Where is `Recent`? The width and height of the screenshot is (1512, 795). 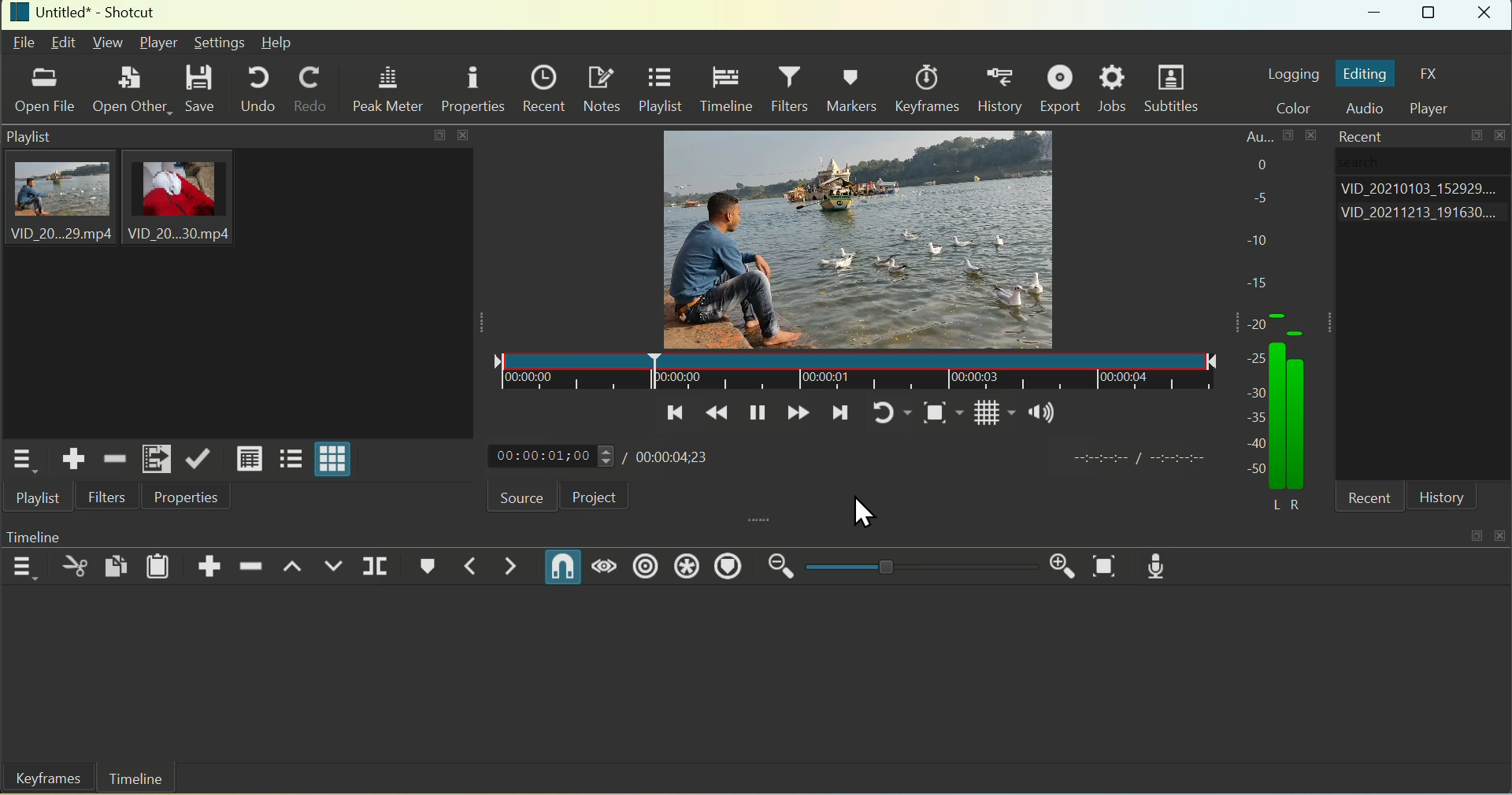
Recent is located at coordinates (1356, 135).